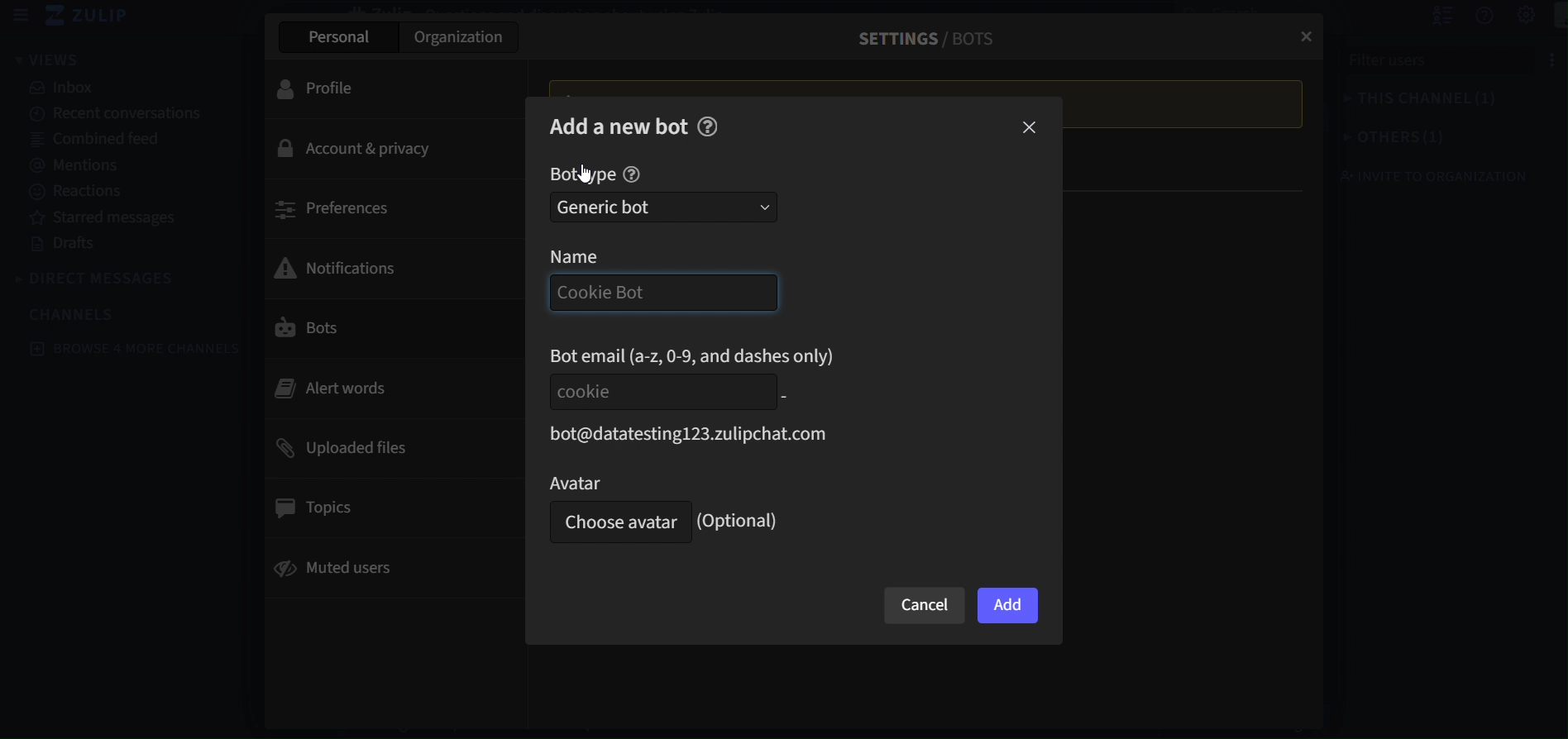 The height and width of the screenshot is (739, 1568). What do you see at coordinates (659, 391) in the screenshot?
I see `Cookie` at bounding box center [659, 391].